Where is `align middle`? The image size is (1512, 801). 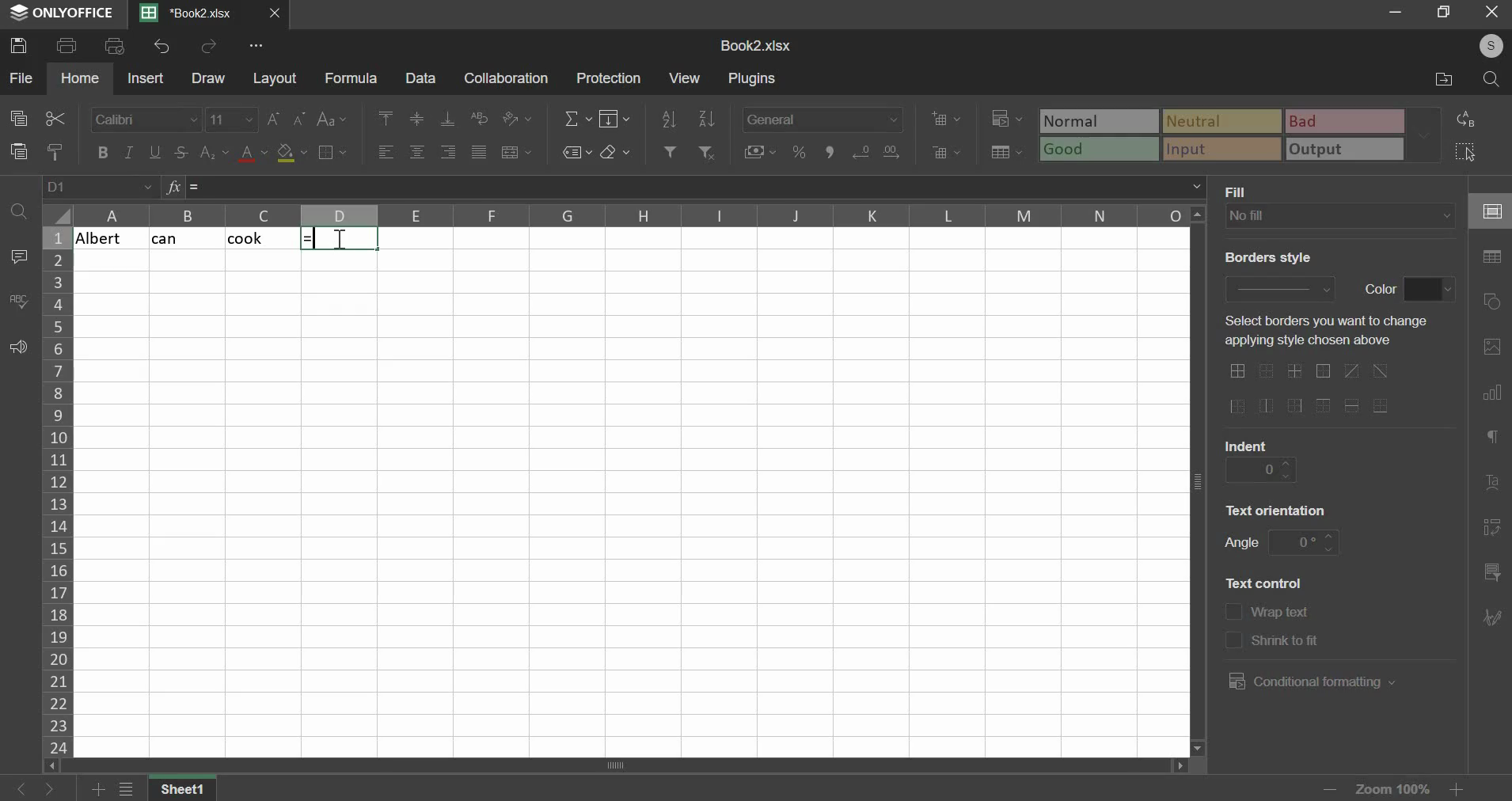
align middle is located at coordinates (419, 119).